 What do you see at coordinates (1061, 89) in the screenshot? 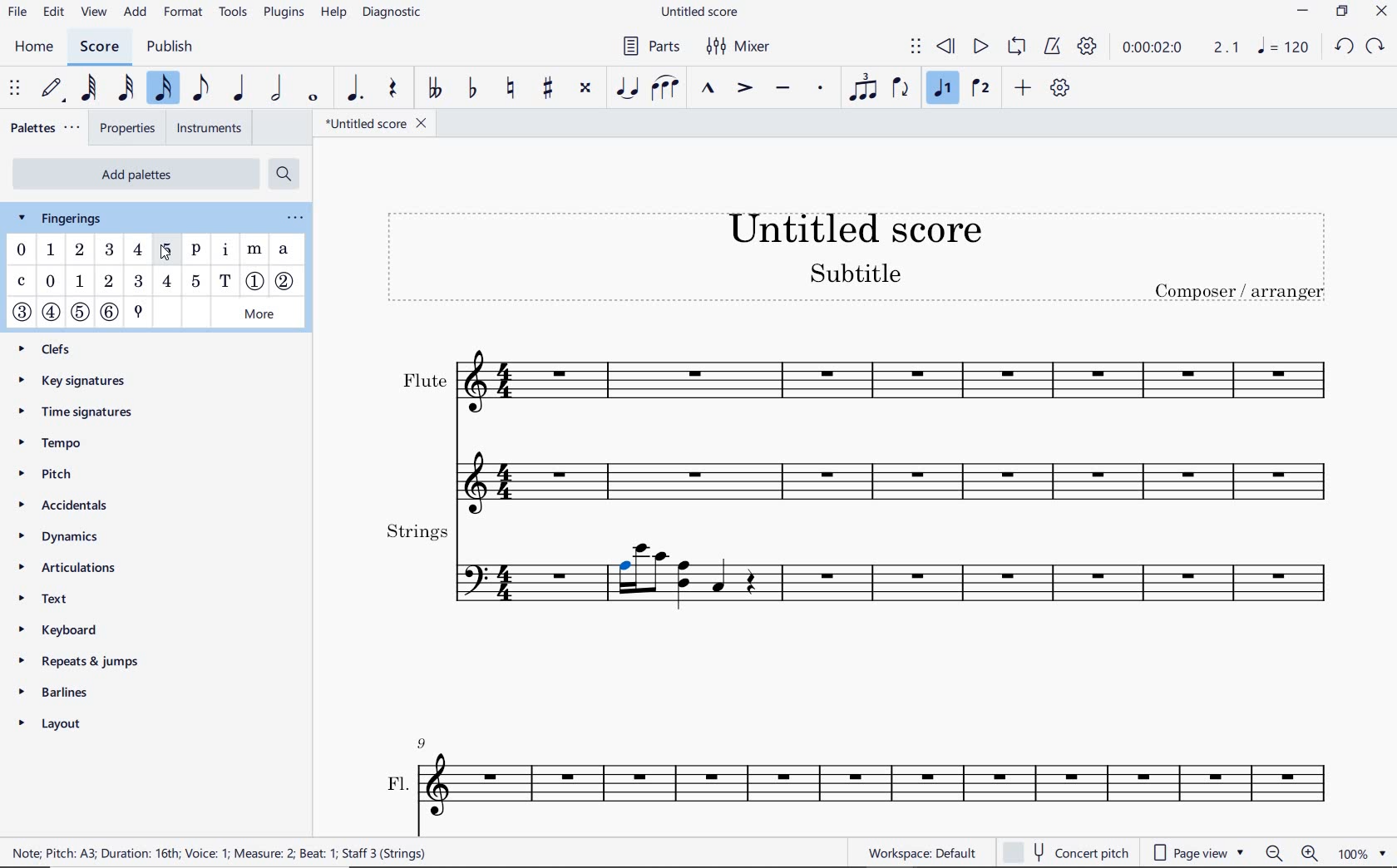
I see `customize toolbar` at bounding box center [1061, 89].